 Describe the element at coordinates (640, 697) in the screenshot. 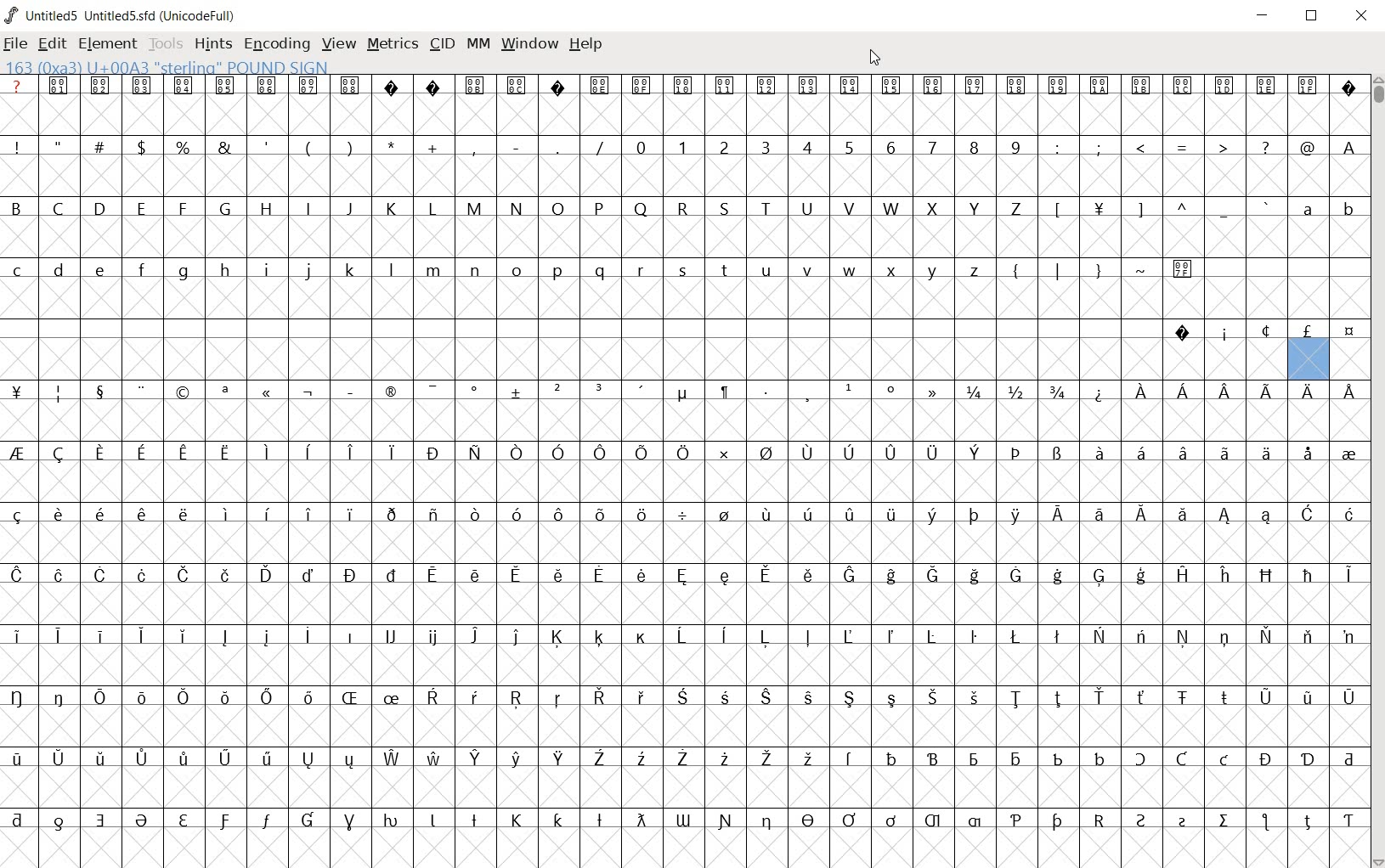

I see `Symbol` at that location.